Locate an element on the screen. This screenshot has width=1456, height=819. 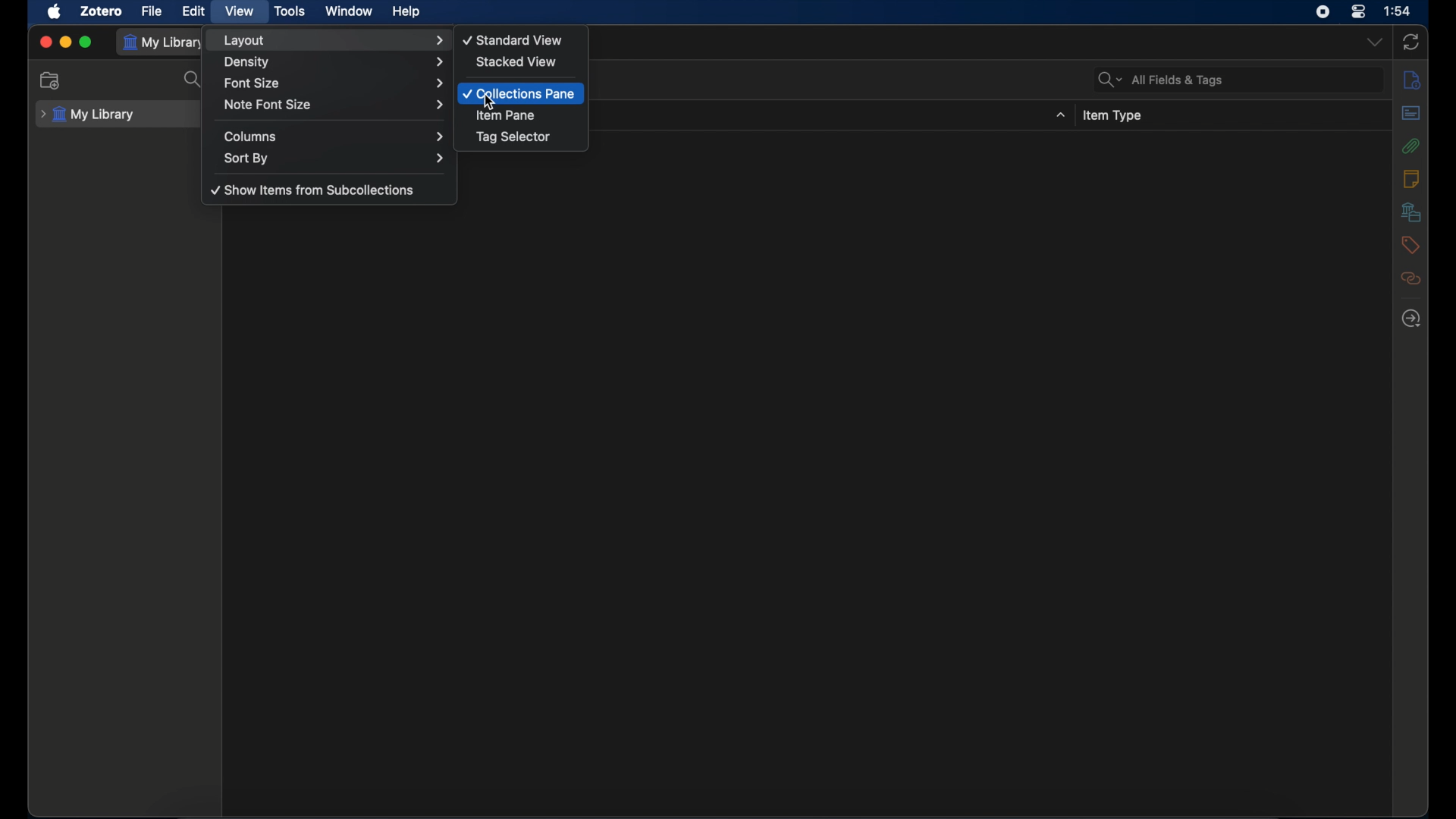
dropdown is located at coordinates (1061, 115).